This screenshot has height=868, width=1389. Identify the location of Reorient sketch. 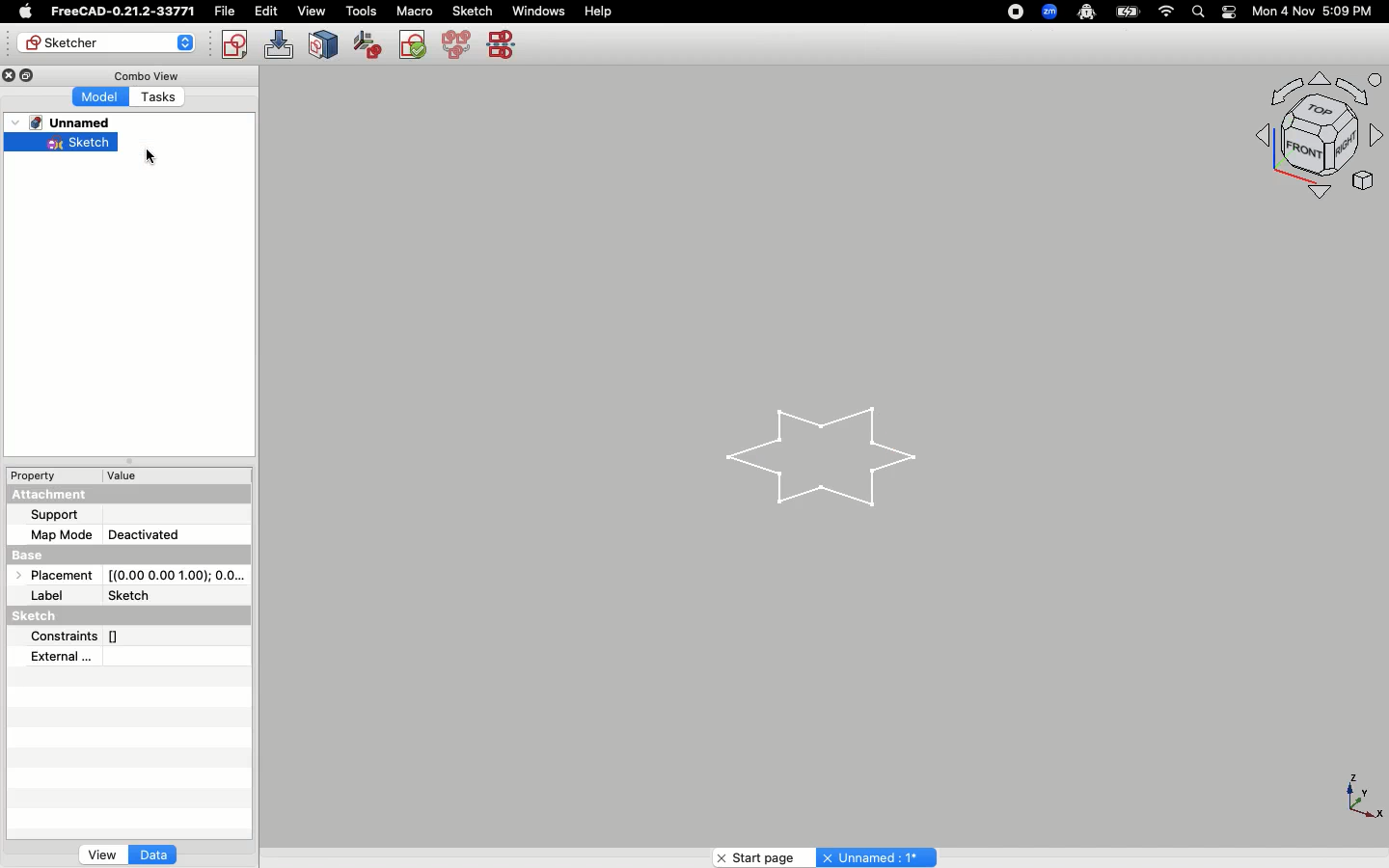
(413, 48).